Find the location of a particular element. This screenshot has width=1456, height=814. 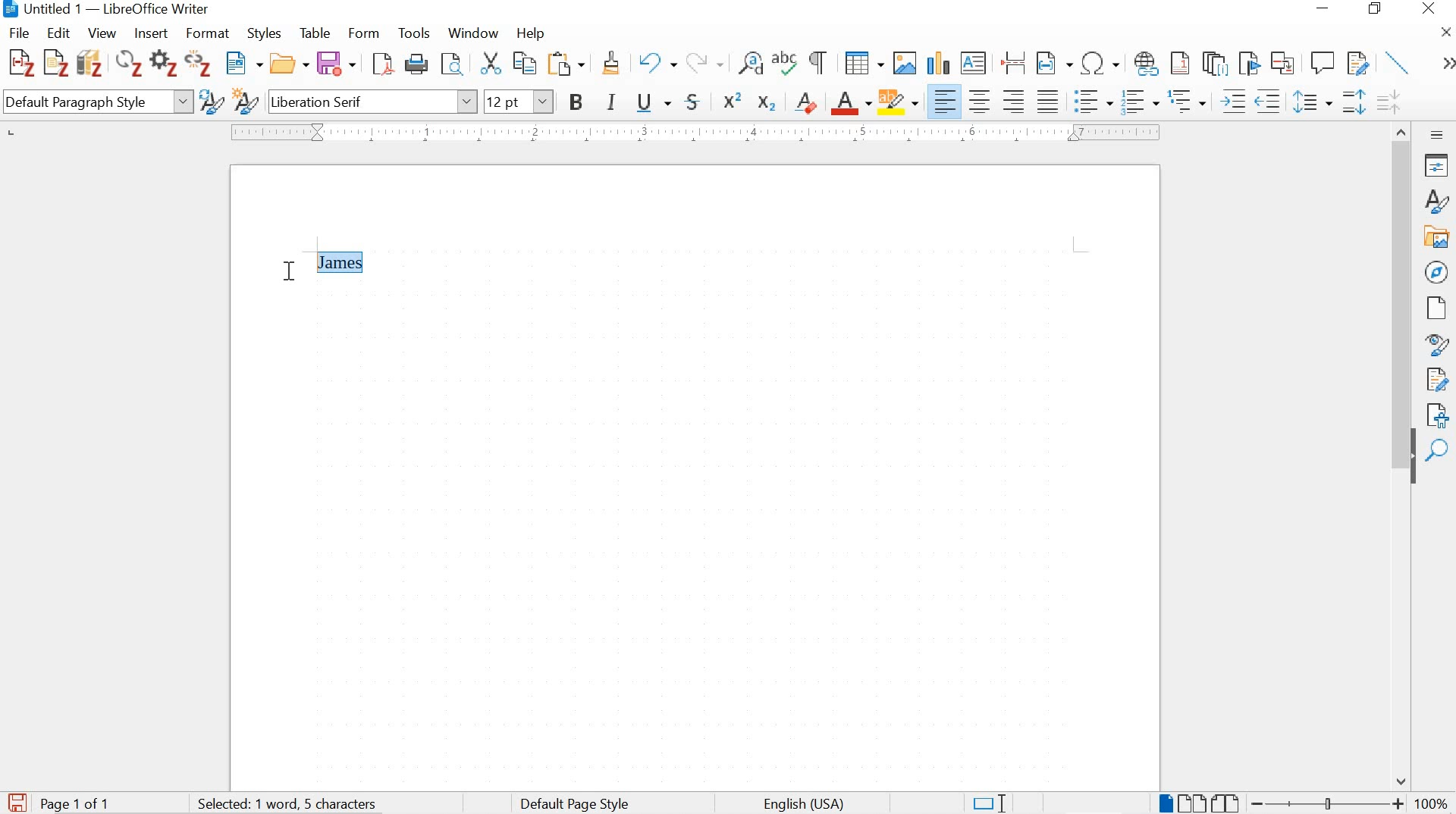

add note is located at coordinates (56, 61).